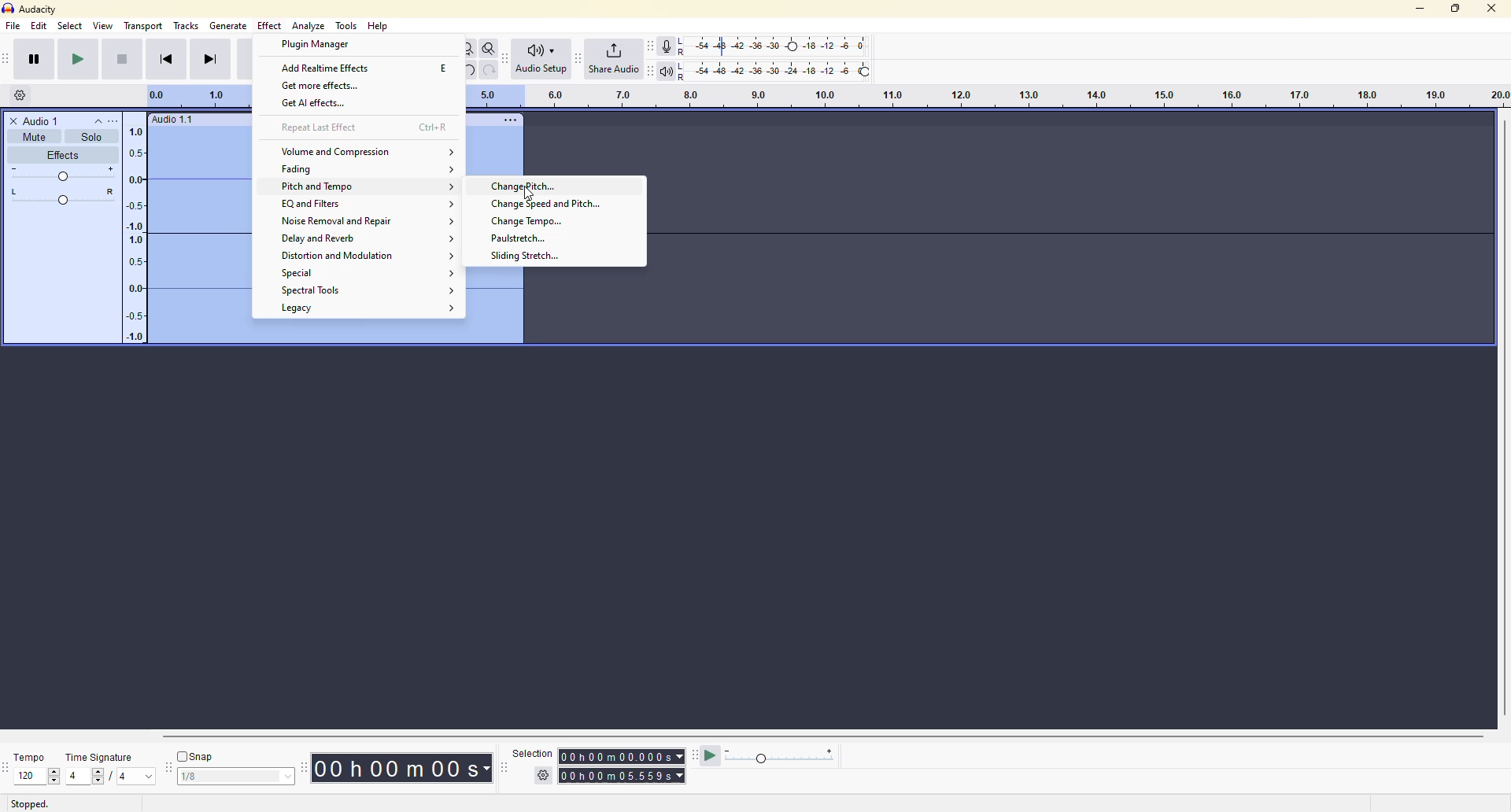 The image size is (1511, 812). I want to click on add realtime effects, so click(326, 68).